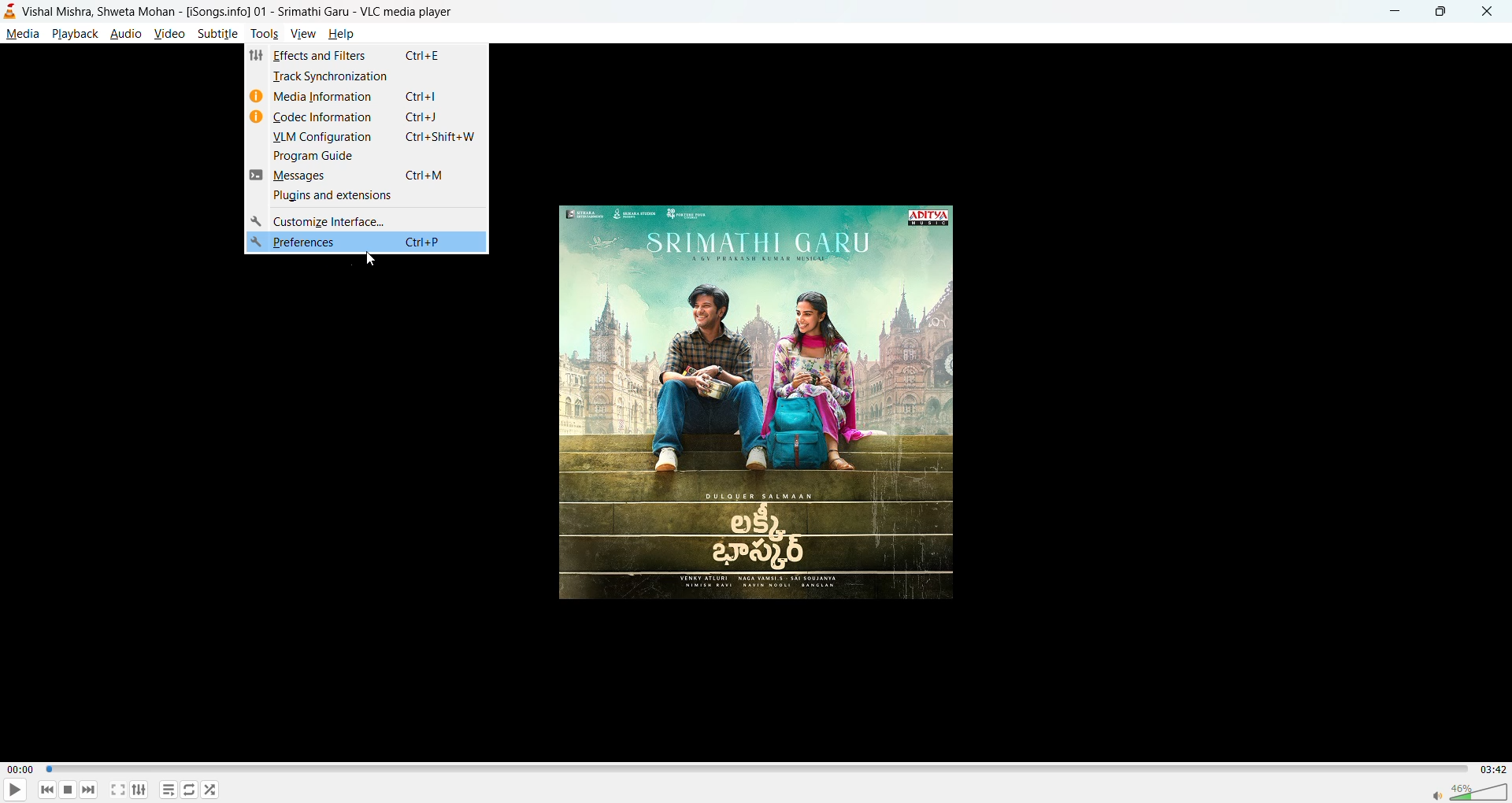 The height and width of the screenshot is (803, 1512). What do you see at coordinates (754, 770) in the screenshot?
I see `track slider` at bounding box center [754, 770].